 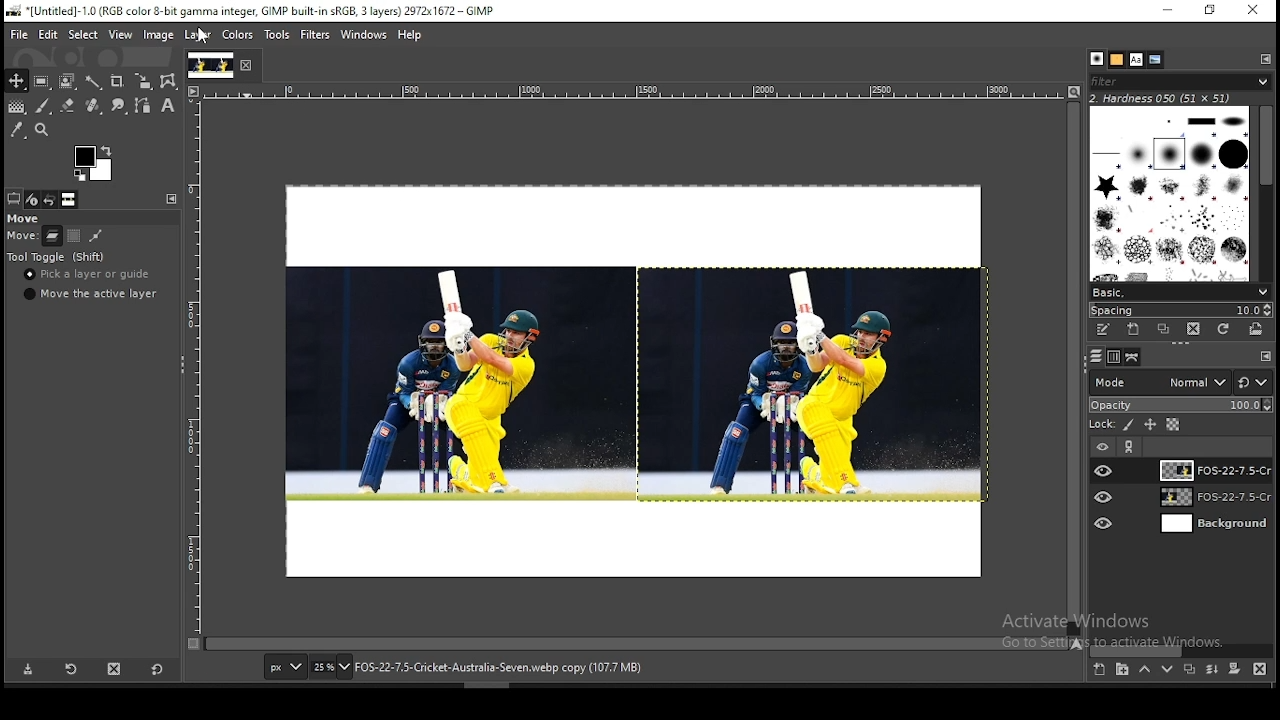 I want to click on color picker tool, so click(x=17, y=129).